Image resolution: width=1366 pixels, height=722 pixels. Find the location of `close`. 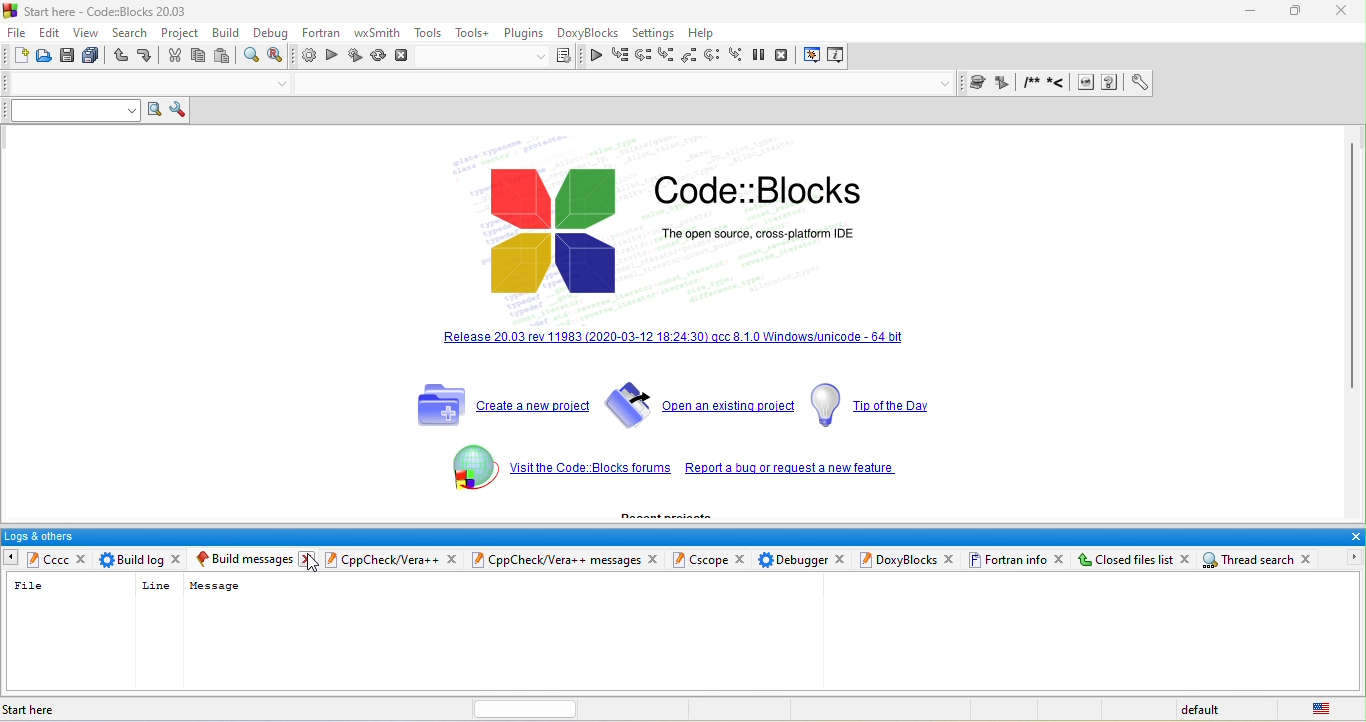

close is located at coordinates (453, 559).